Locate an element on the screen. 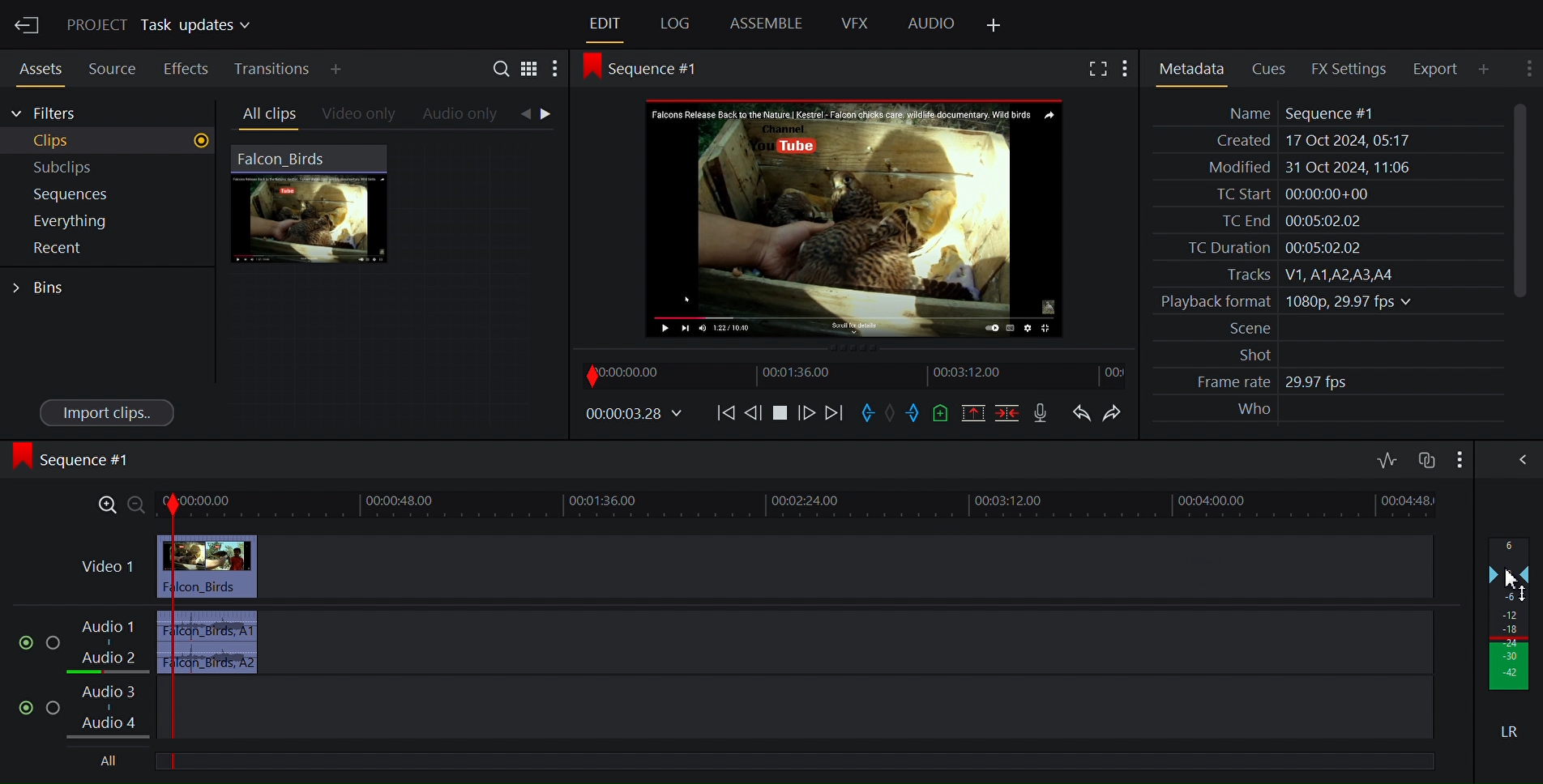  Clip Thumbnail is located at coordinates (395, 283).